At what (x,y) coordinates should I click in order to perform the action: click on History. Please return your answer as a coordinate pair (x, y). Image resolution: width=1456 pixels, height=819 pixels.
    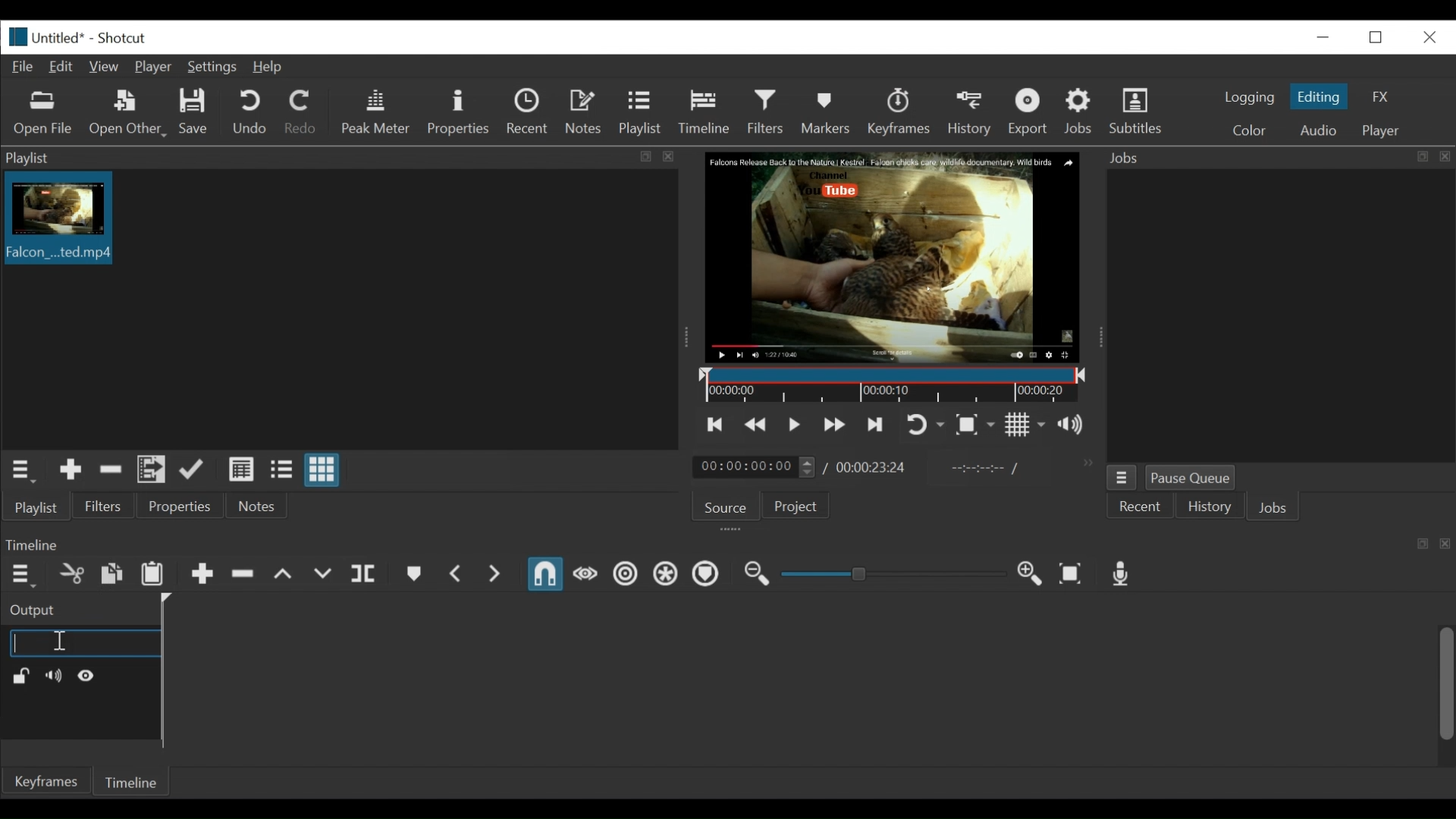
    Looking at the image, I should click on (972, 114).